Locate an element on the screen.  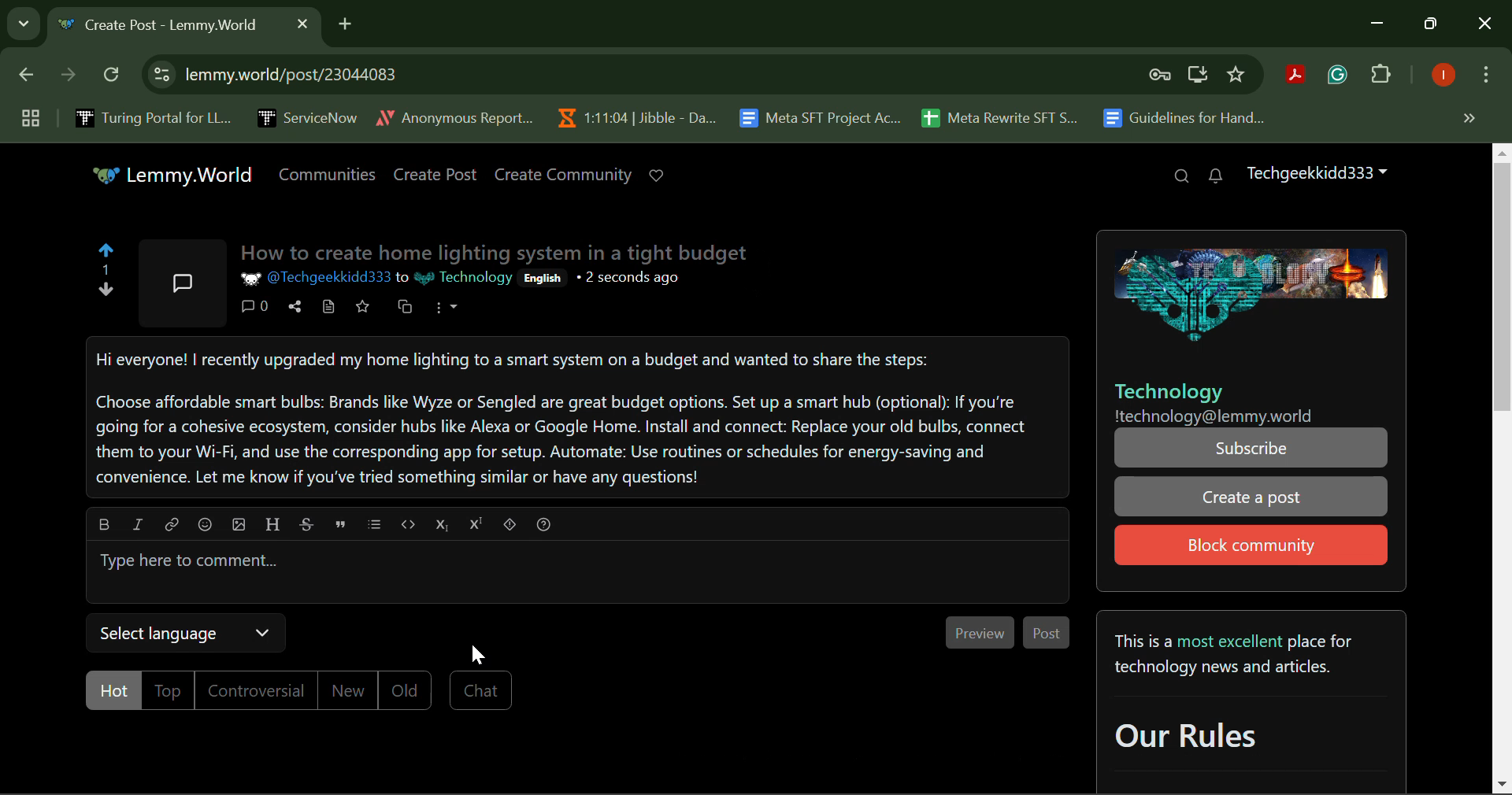
Donate to Lemmy is located at coordinates (657, 176).